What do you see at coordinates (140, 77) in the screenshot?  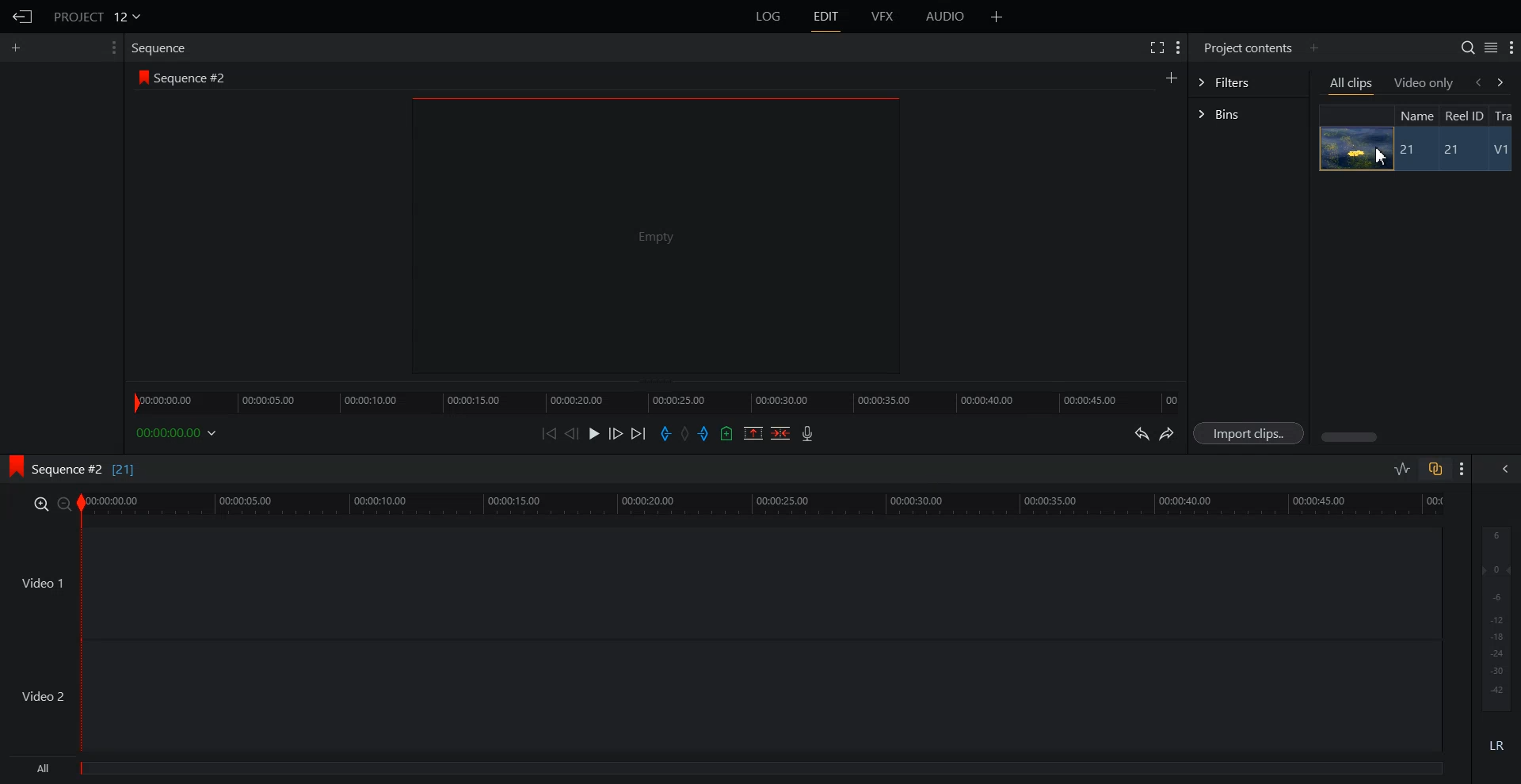 I see `logo` at bounding box center [140, 77].